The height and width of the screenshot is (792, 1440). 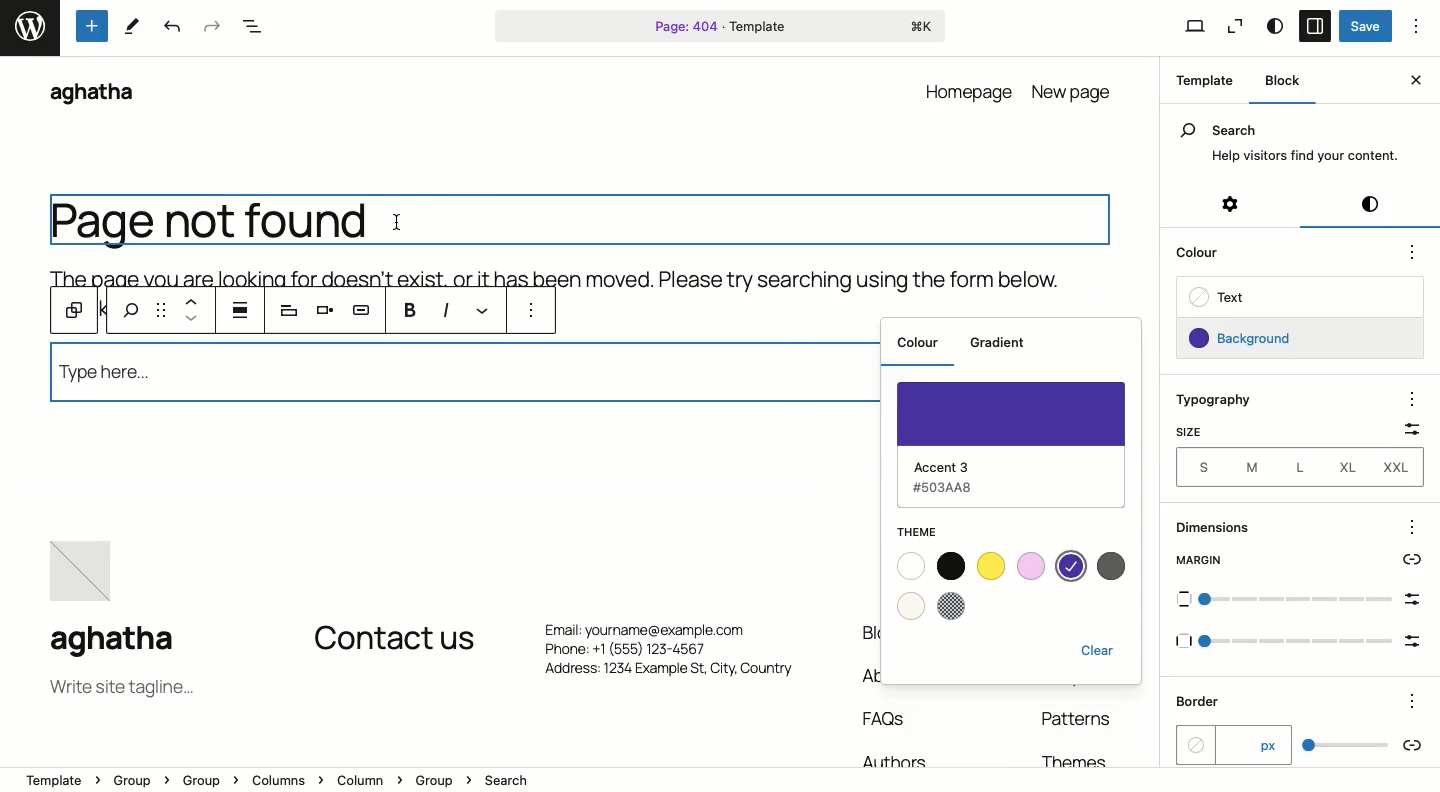 I want to click on px, so click(x=1232, y=744).